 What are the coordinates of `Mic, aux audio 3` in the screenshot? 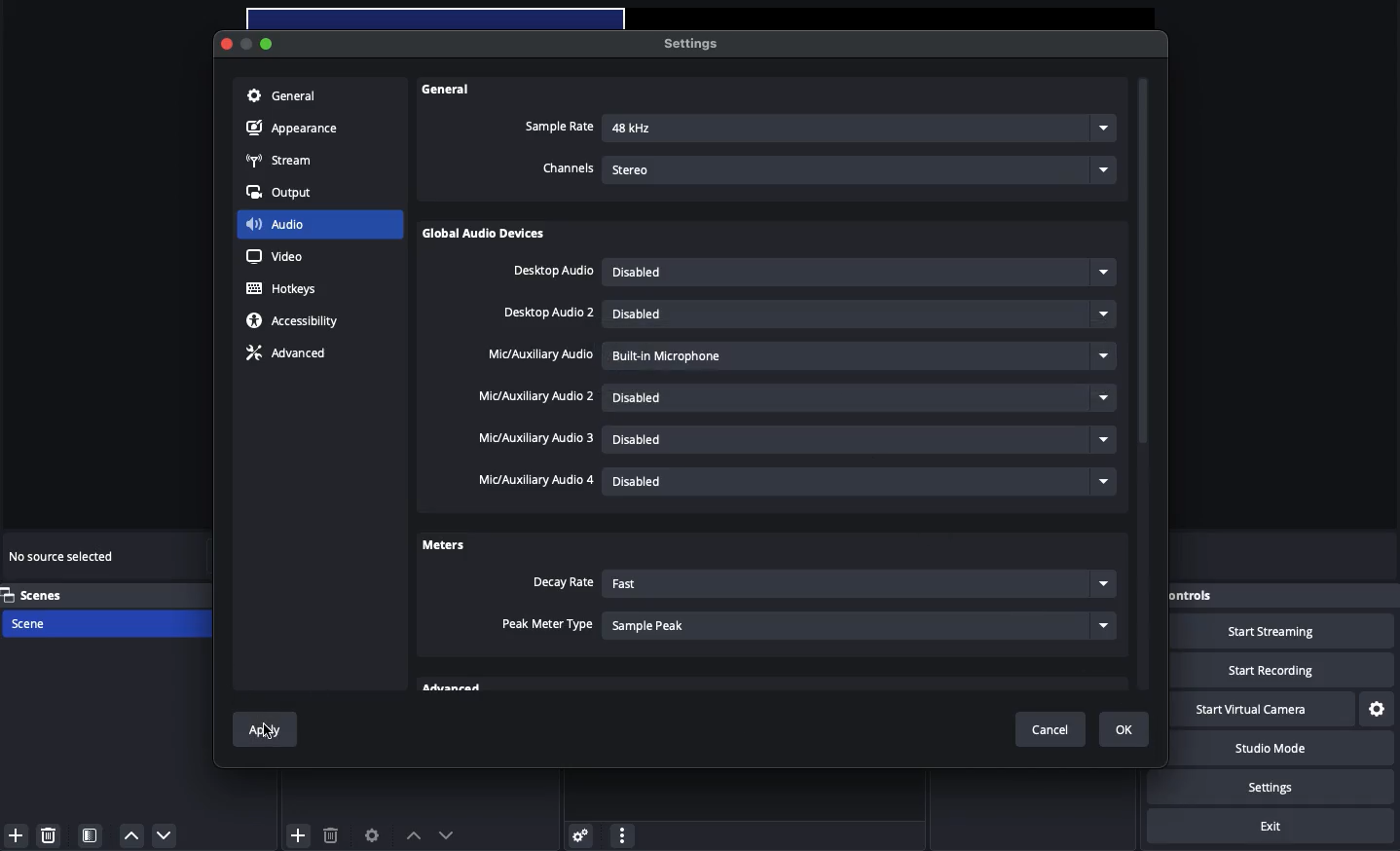 It's located at (537, 439).